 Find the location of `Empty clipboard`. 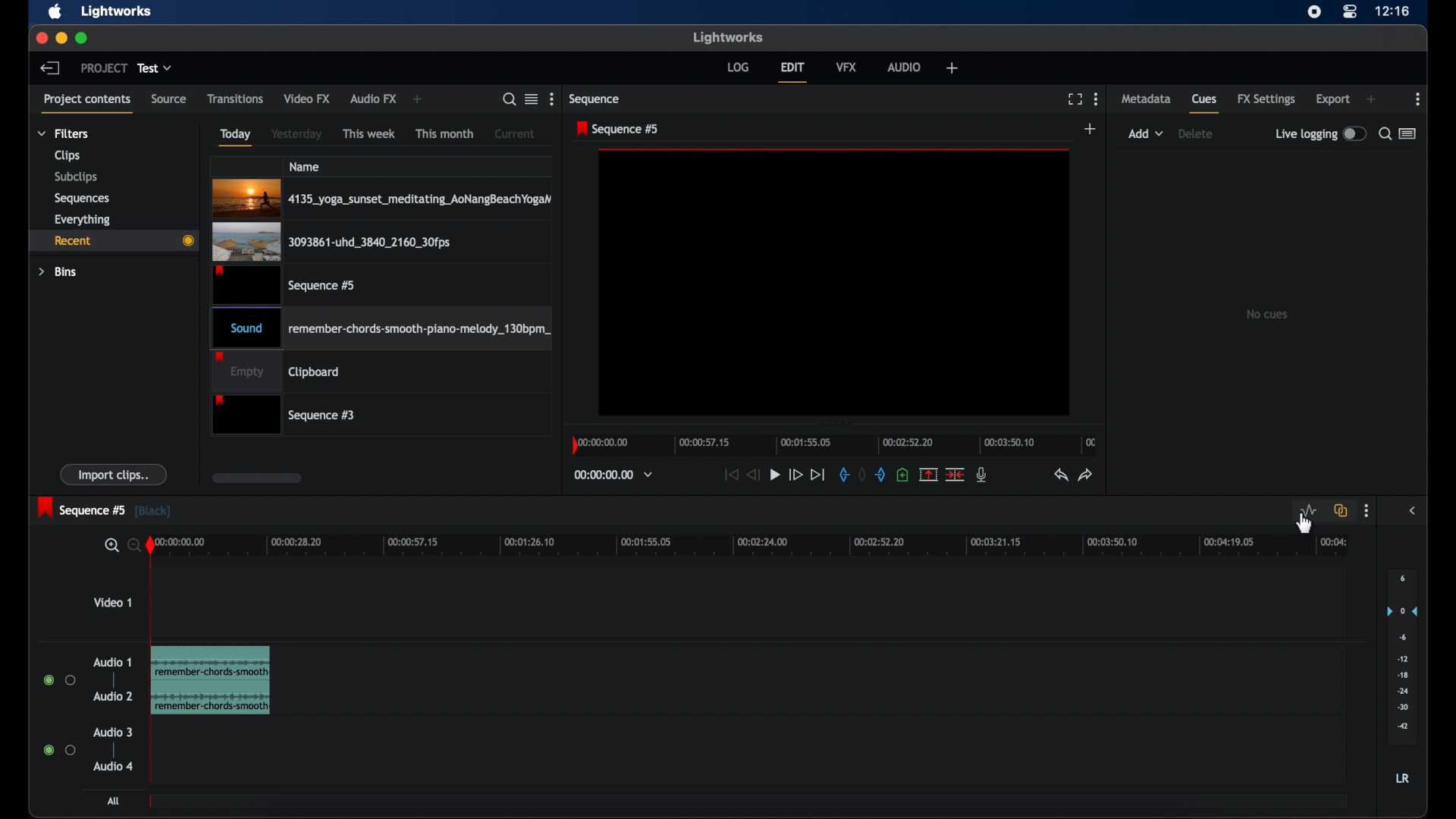

Empty clipboard is located at coordinates (276, 372).